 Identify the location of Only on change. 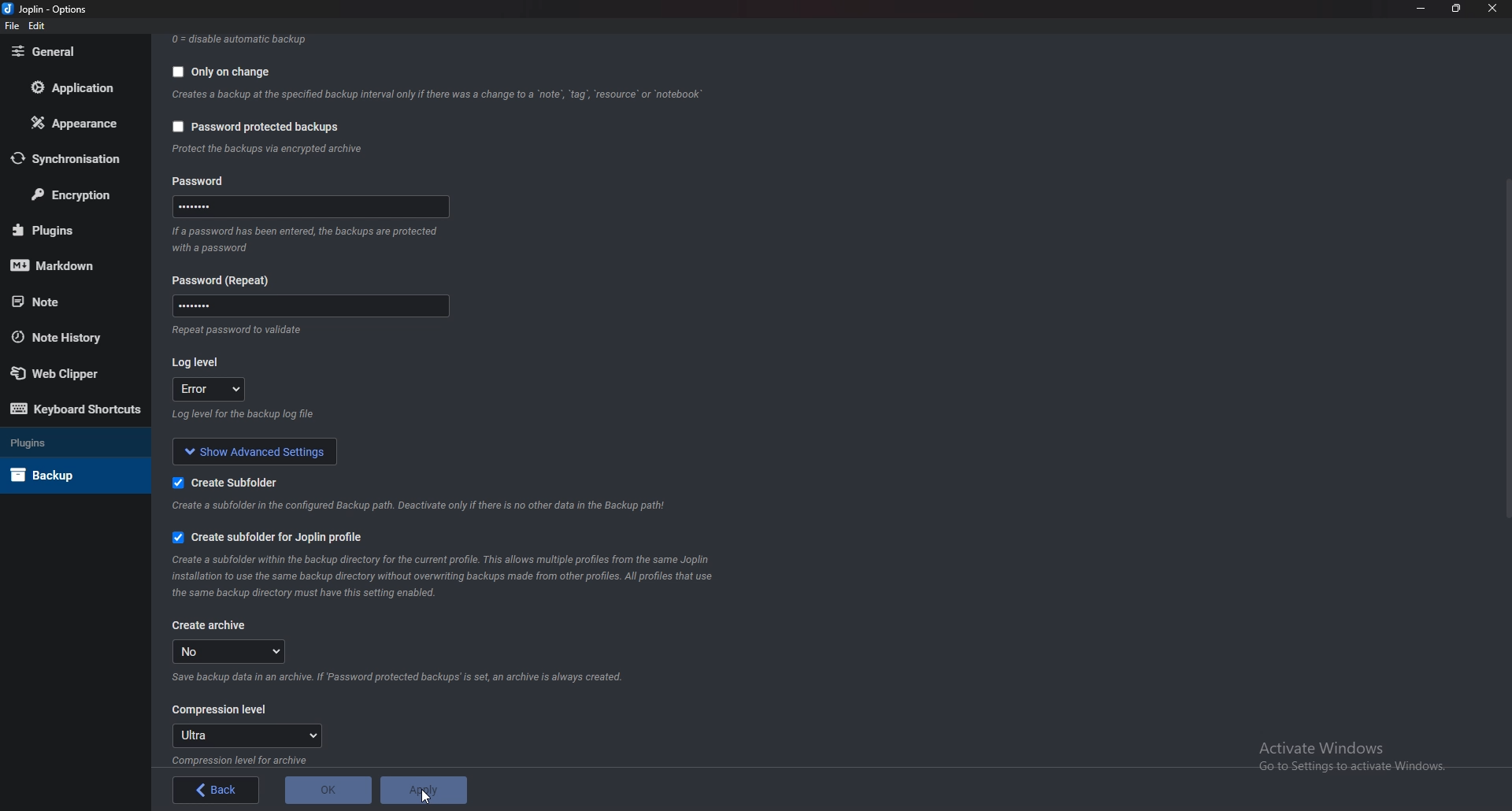
(226, 70).